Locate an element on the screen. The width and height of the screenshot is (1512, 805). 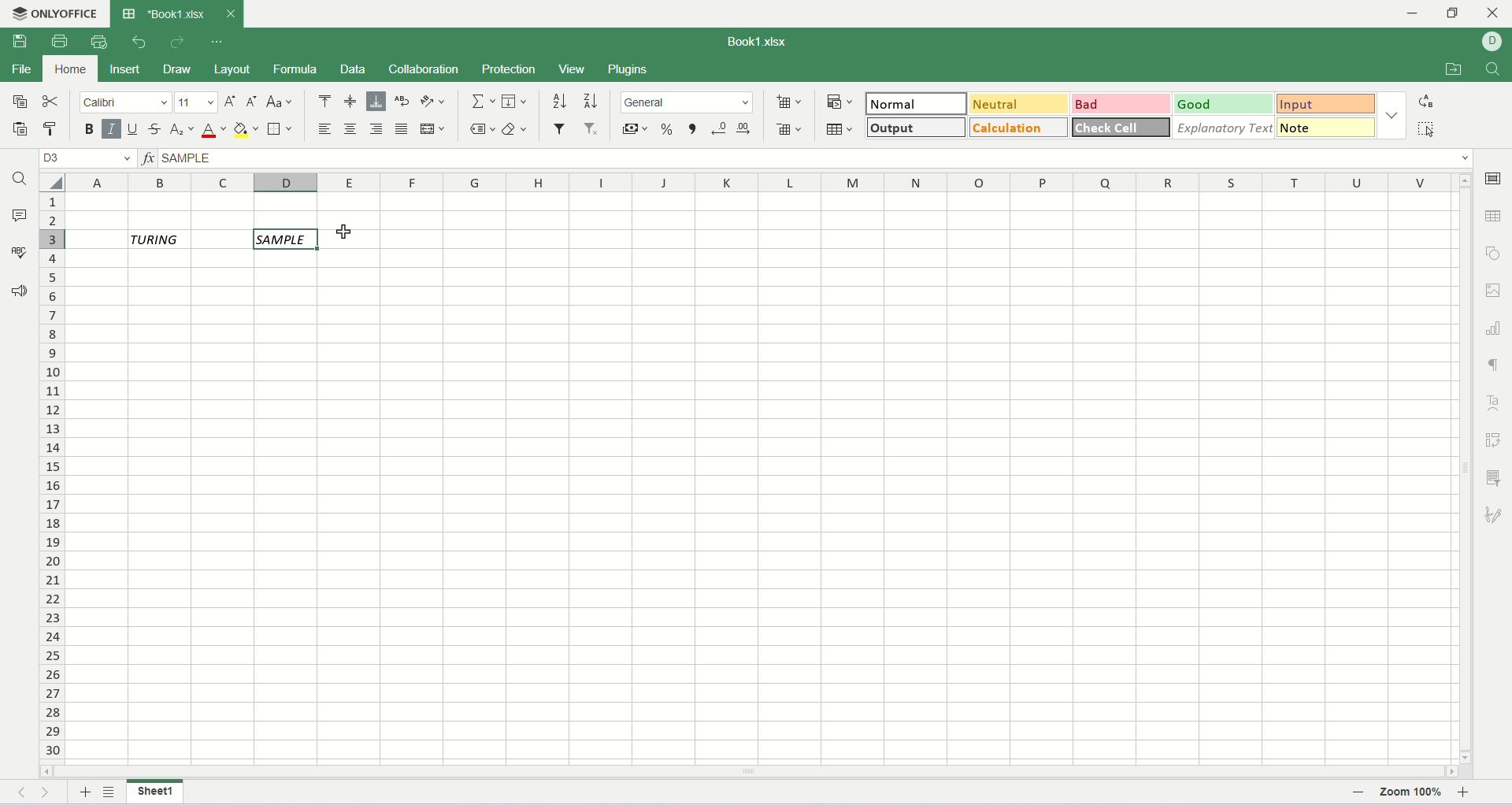
quick print is located at coordinates (101, 42).